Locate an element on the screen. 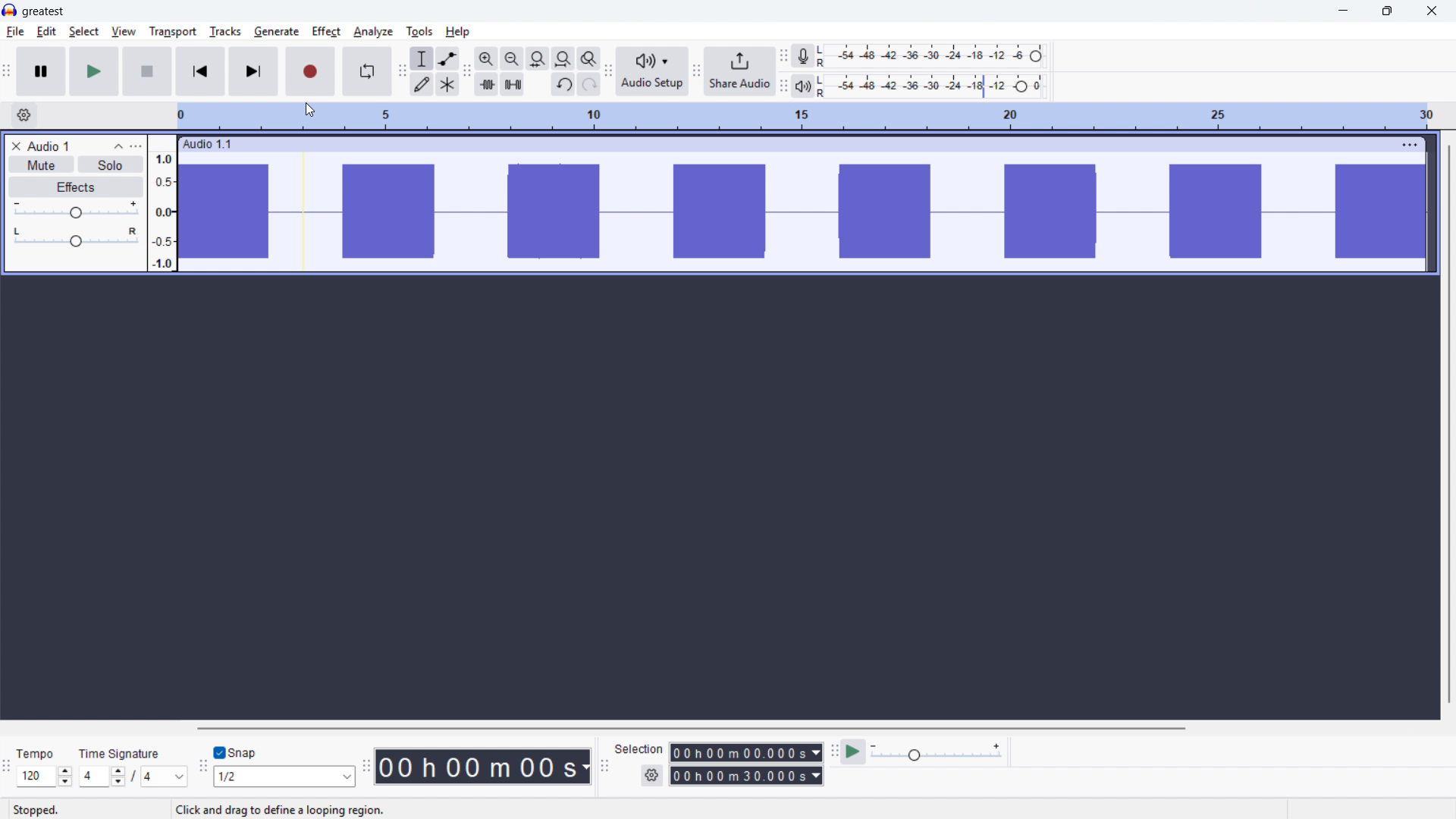 This screenshot has height=819, width=1456. effect is located at coordinates (327, 32).